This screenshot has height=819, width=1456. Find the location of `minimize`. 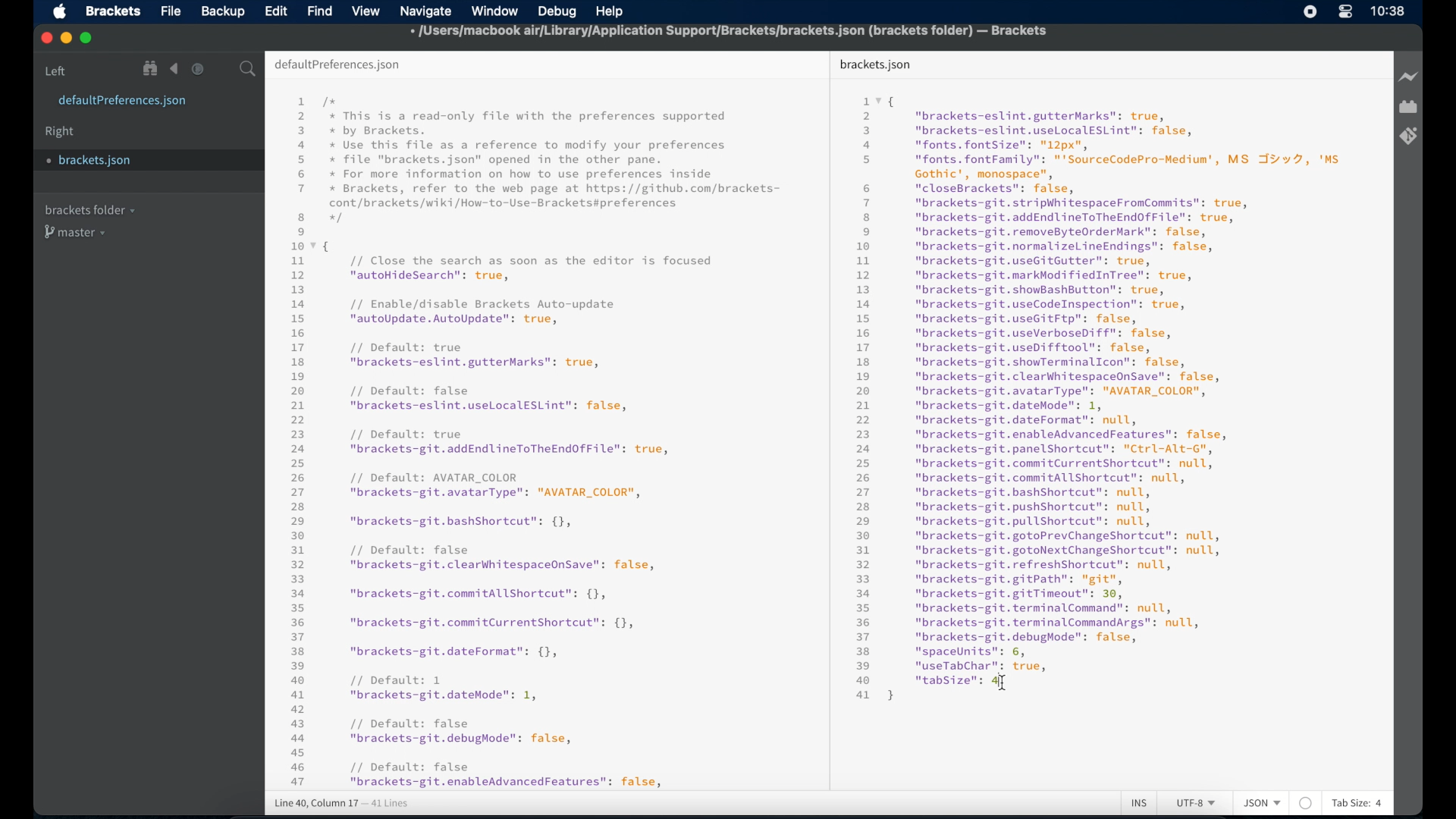

minimize is located at coordinates (67, 39).